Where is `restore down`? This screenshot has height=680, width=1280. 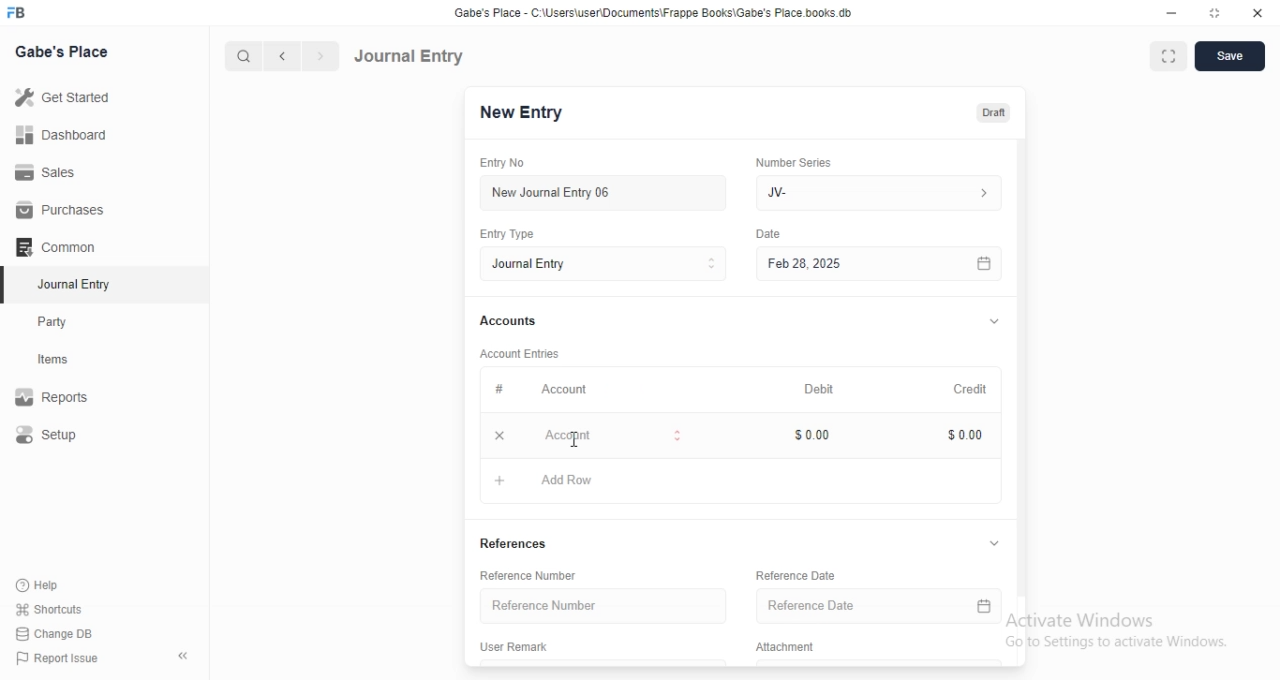
restore down is located at coordinates (1216, 15).